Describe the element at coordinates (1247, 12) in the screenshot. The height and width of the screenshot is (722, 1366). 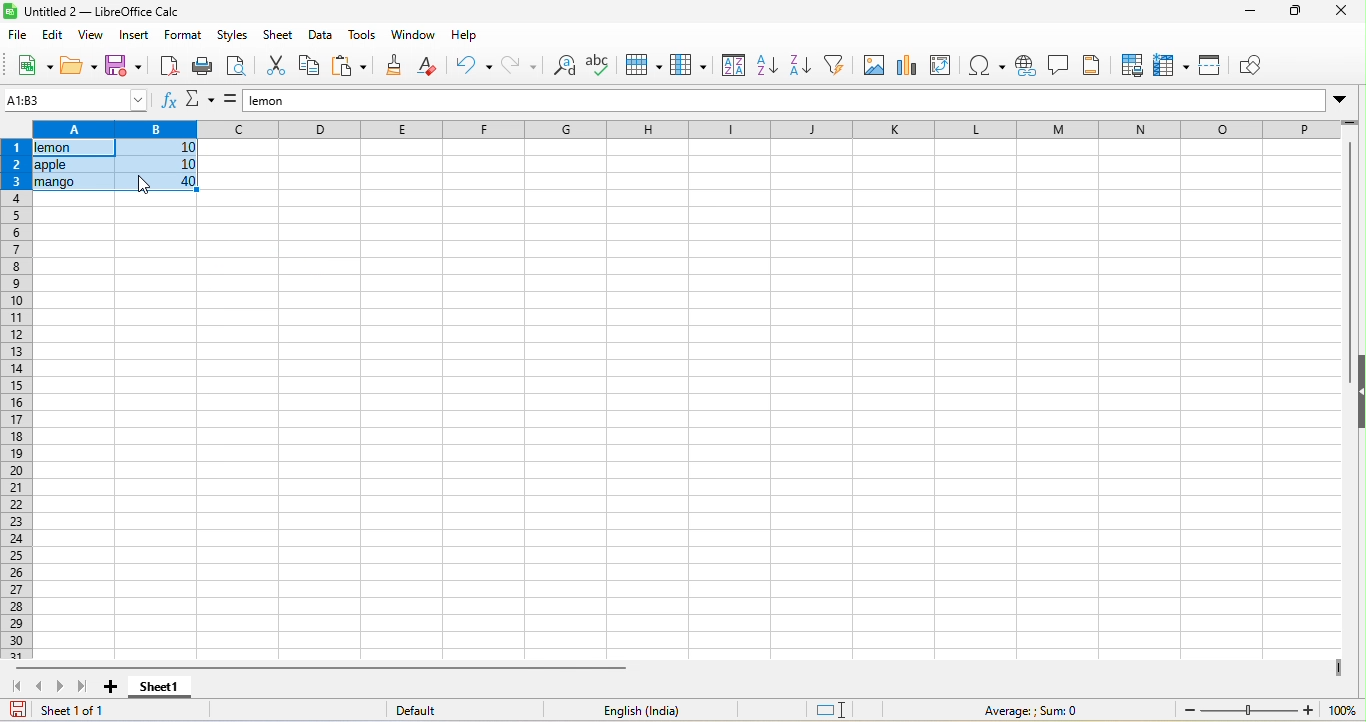
I see `minimize` at that location.